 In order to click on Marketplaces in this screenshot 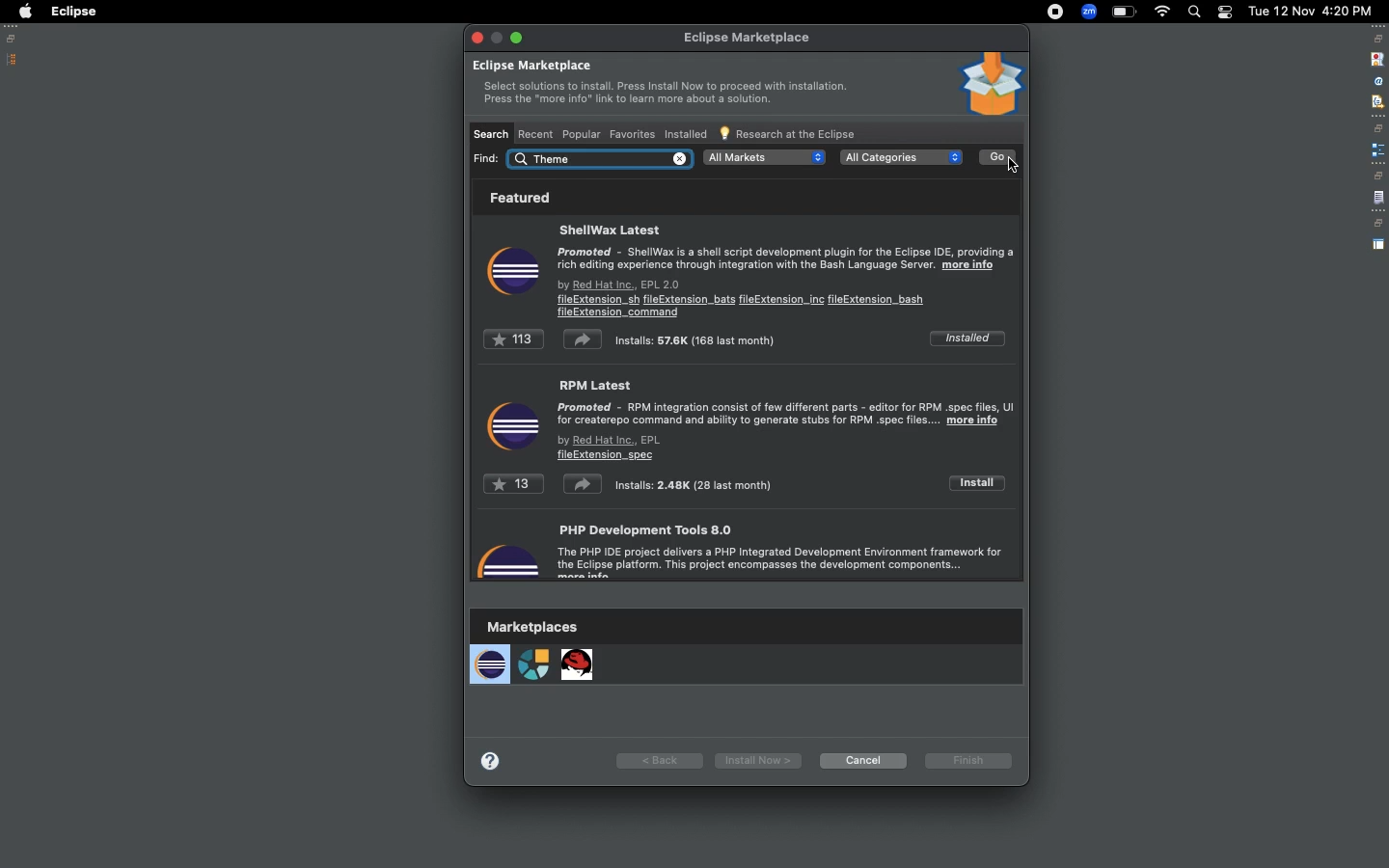, I will do `click(534, 652)`.